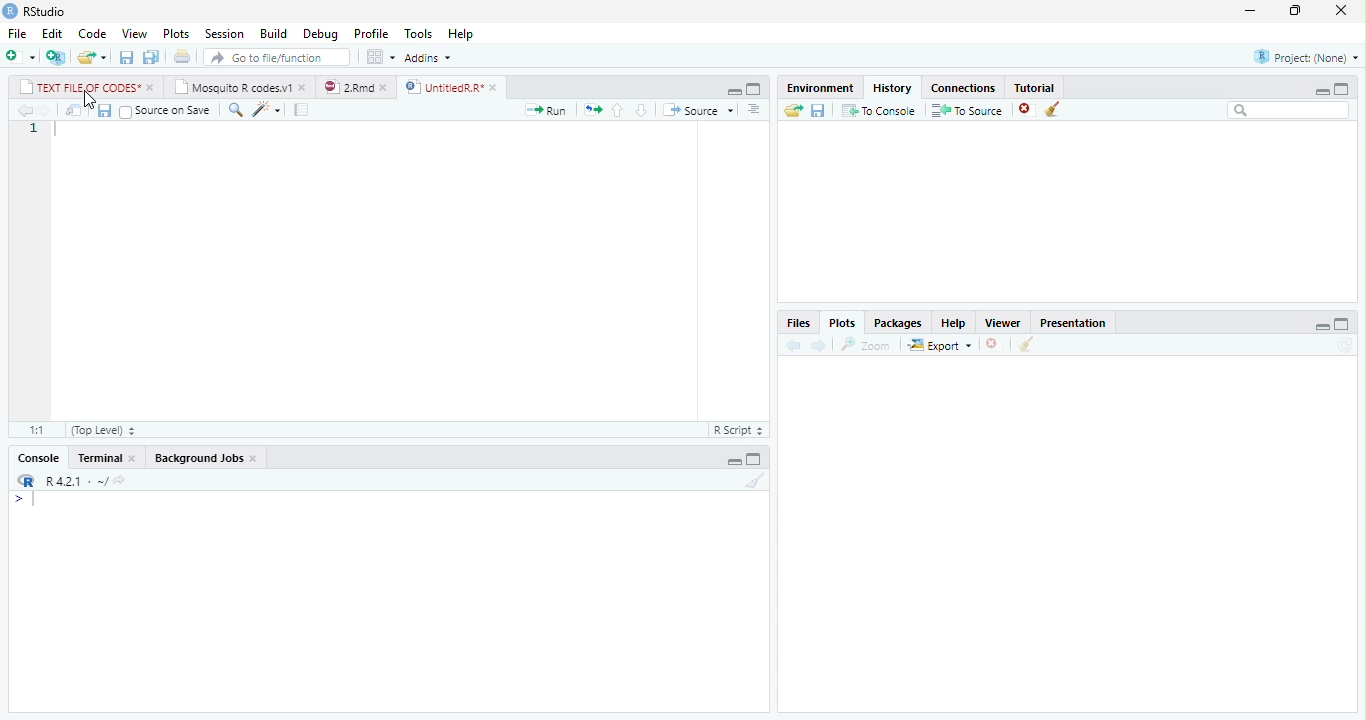  What do you see at coordinates (1002, 322) in the screenshot?
I see `Viewer` at bounding box center [1002, 322].